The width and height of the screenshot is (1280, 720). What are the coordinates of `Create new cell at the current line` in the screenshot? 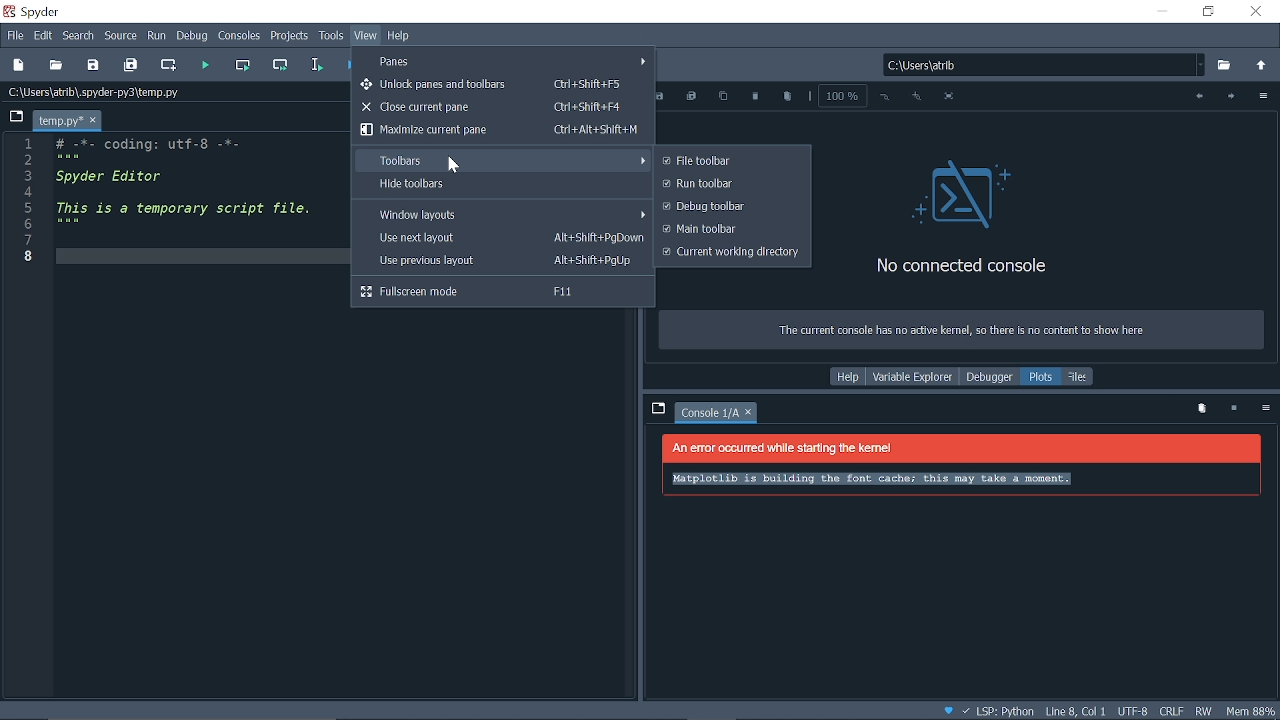 It's located at (170, 66).